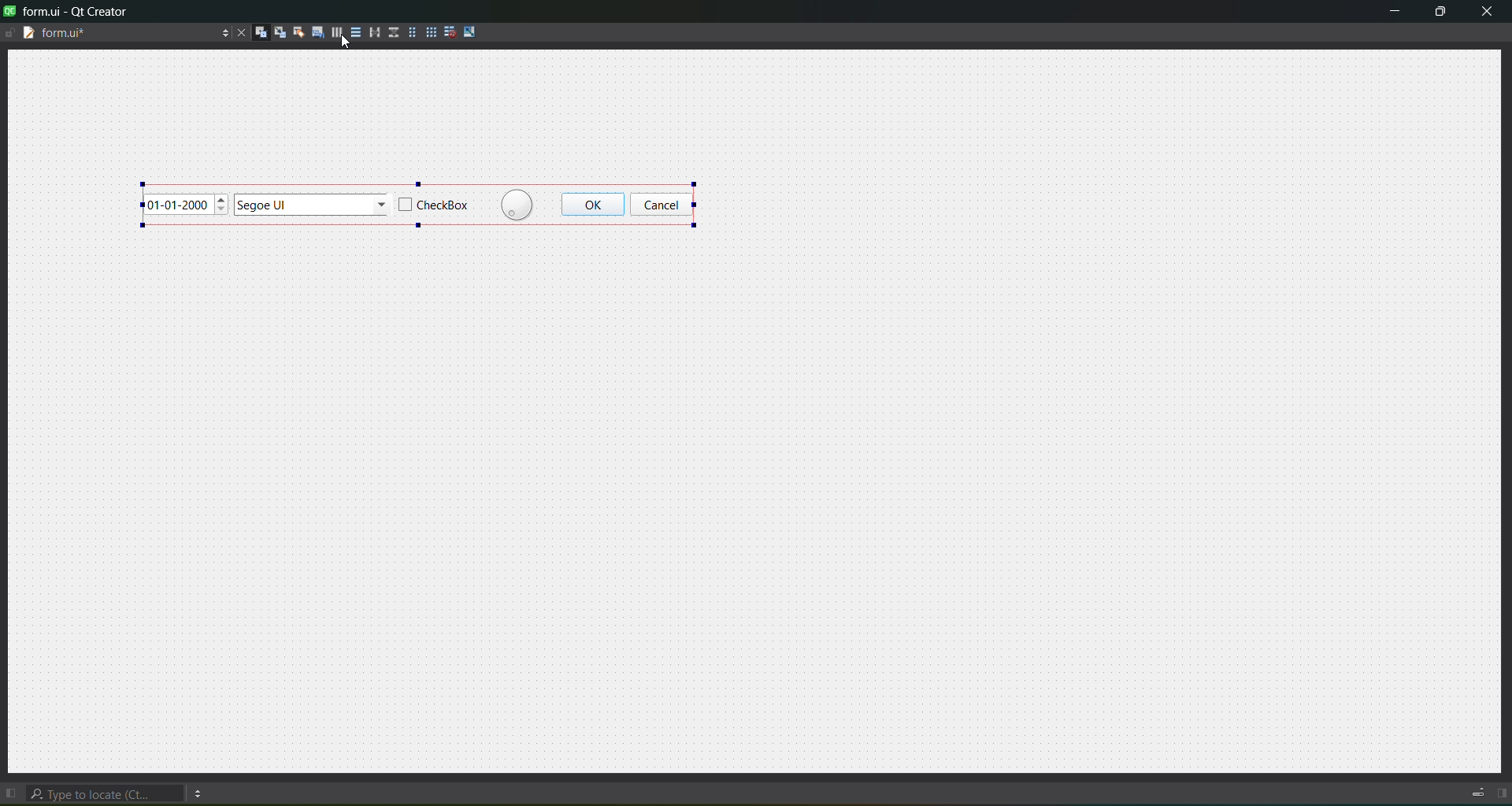  I want to click on horizontal splitter, so click(373, 32).